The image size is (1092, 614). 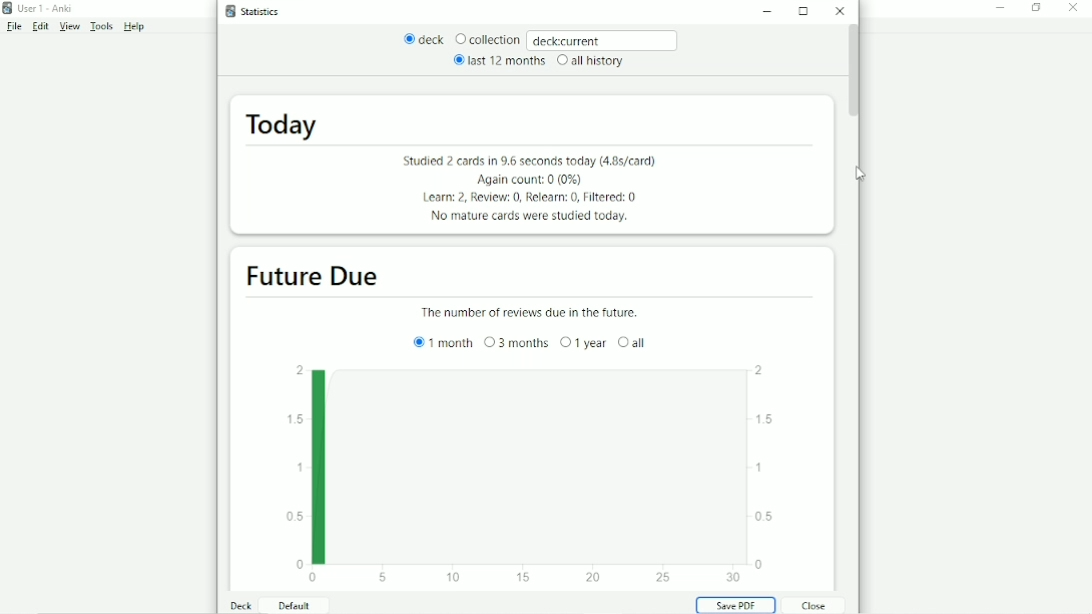 What do you see at coordinates (1037, 8) in the screenshot?
I see `Restore down` at bounding box center [1037, 8].